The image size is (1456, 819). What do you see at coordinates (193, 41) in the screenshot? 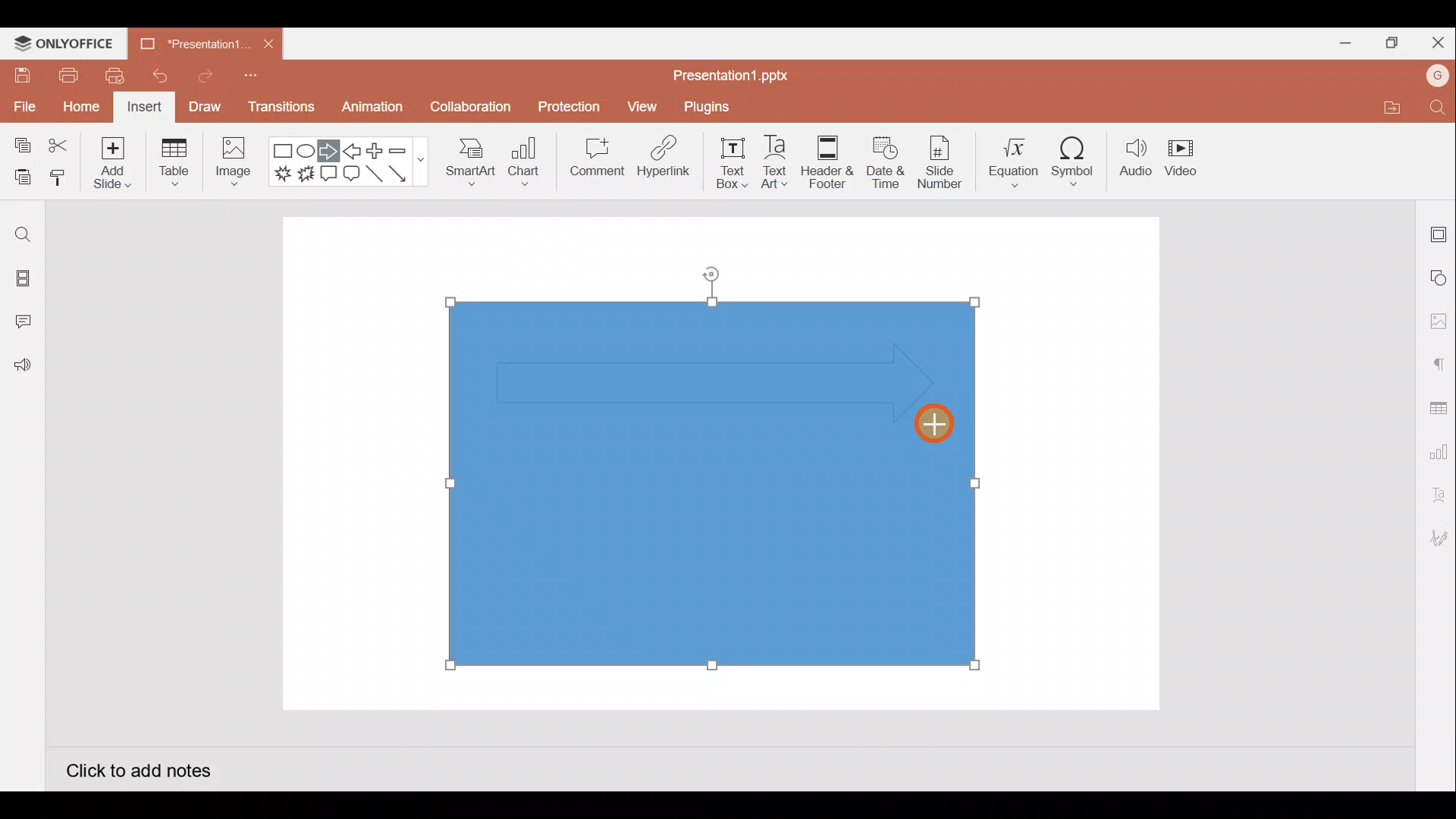
I see `Presentation1.` at bounding box center [193, 41].